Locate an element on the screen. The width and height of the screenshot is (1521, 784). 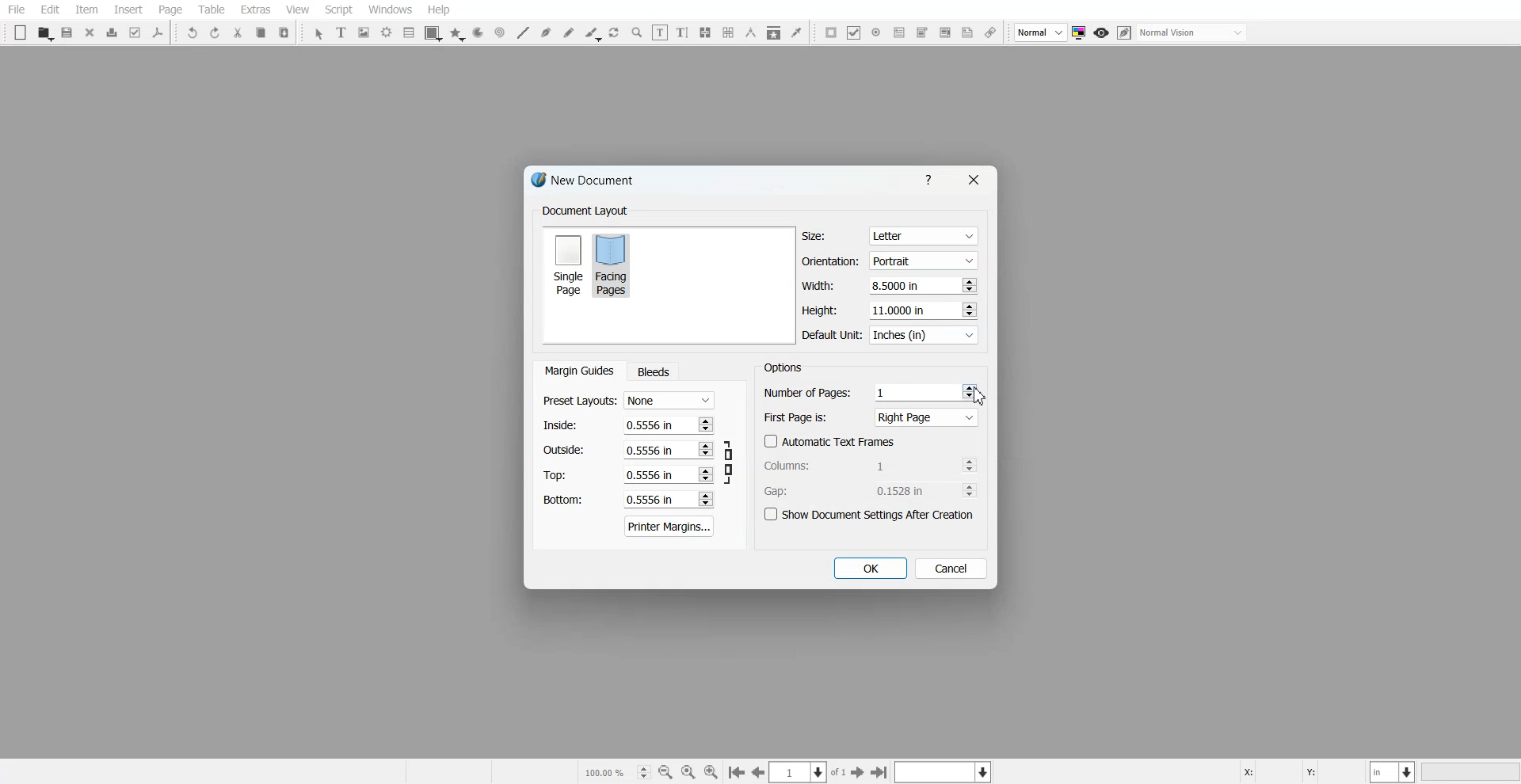
Copy Item Properties is located at coordinates (774, 32).